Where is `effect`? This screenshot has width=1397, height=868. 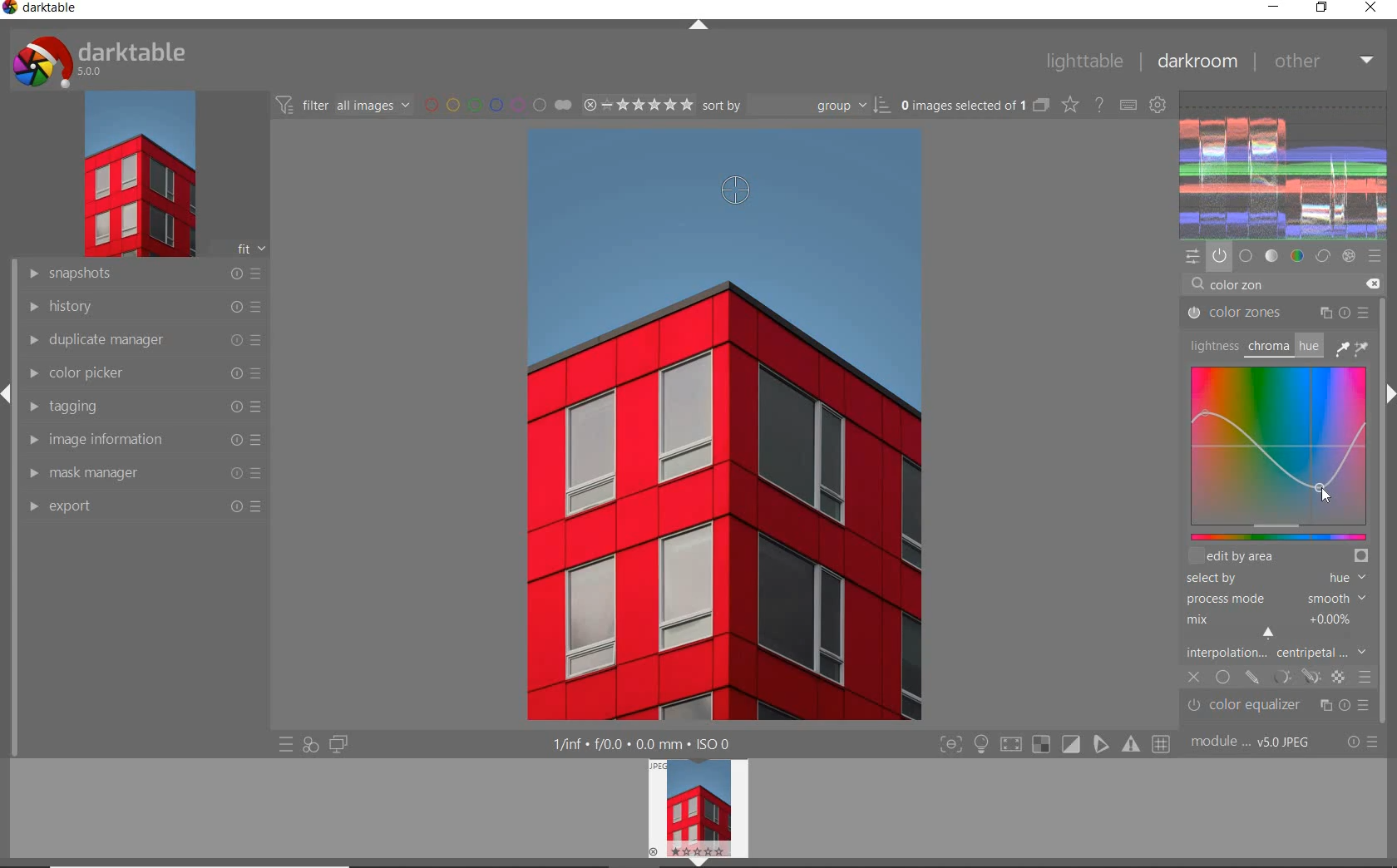
effect is located at coordinates (1350, 256).